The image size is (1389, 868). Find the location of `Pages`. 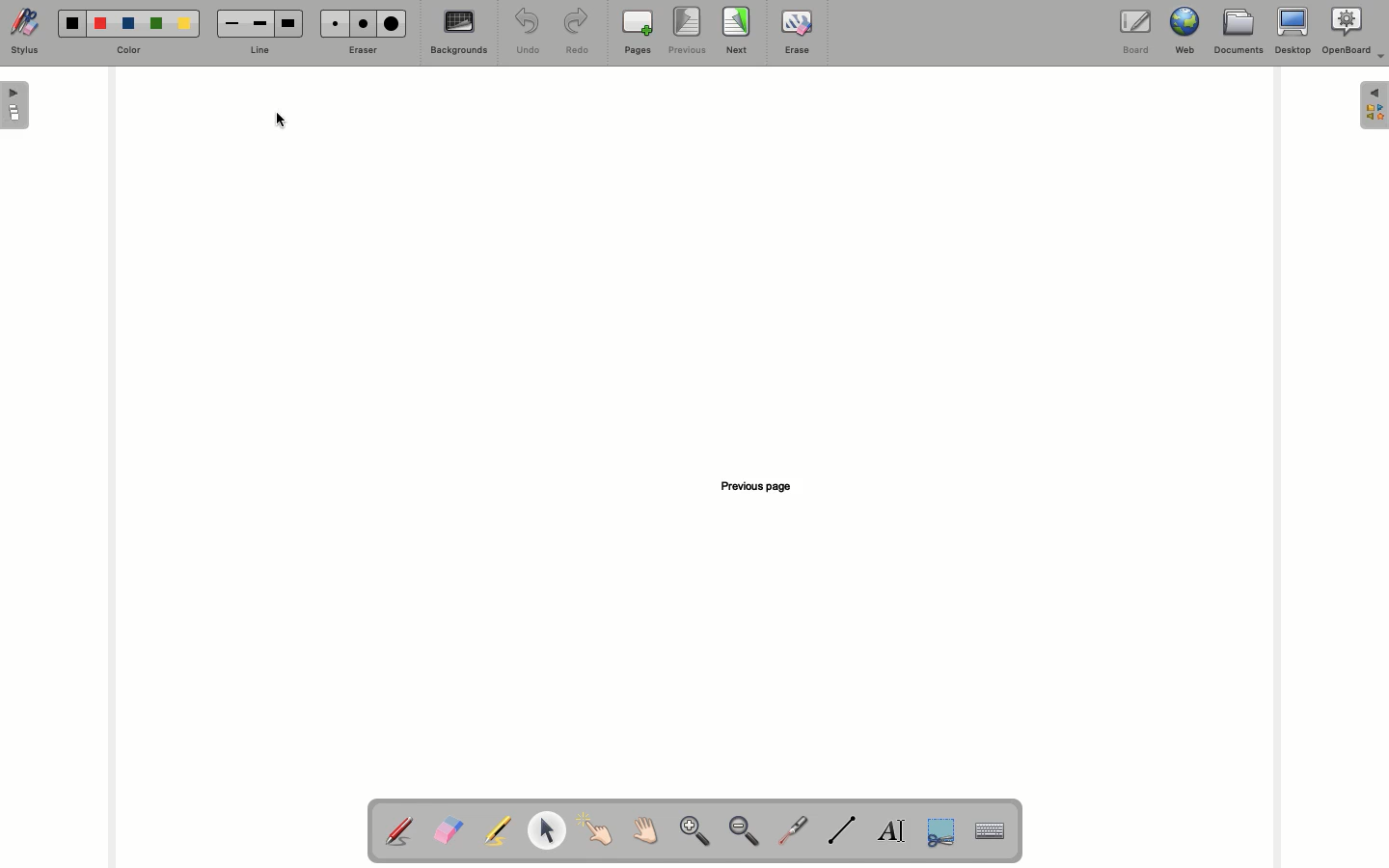

Pages is located at coordinates (638, 32).